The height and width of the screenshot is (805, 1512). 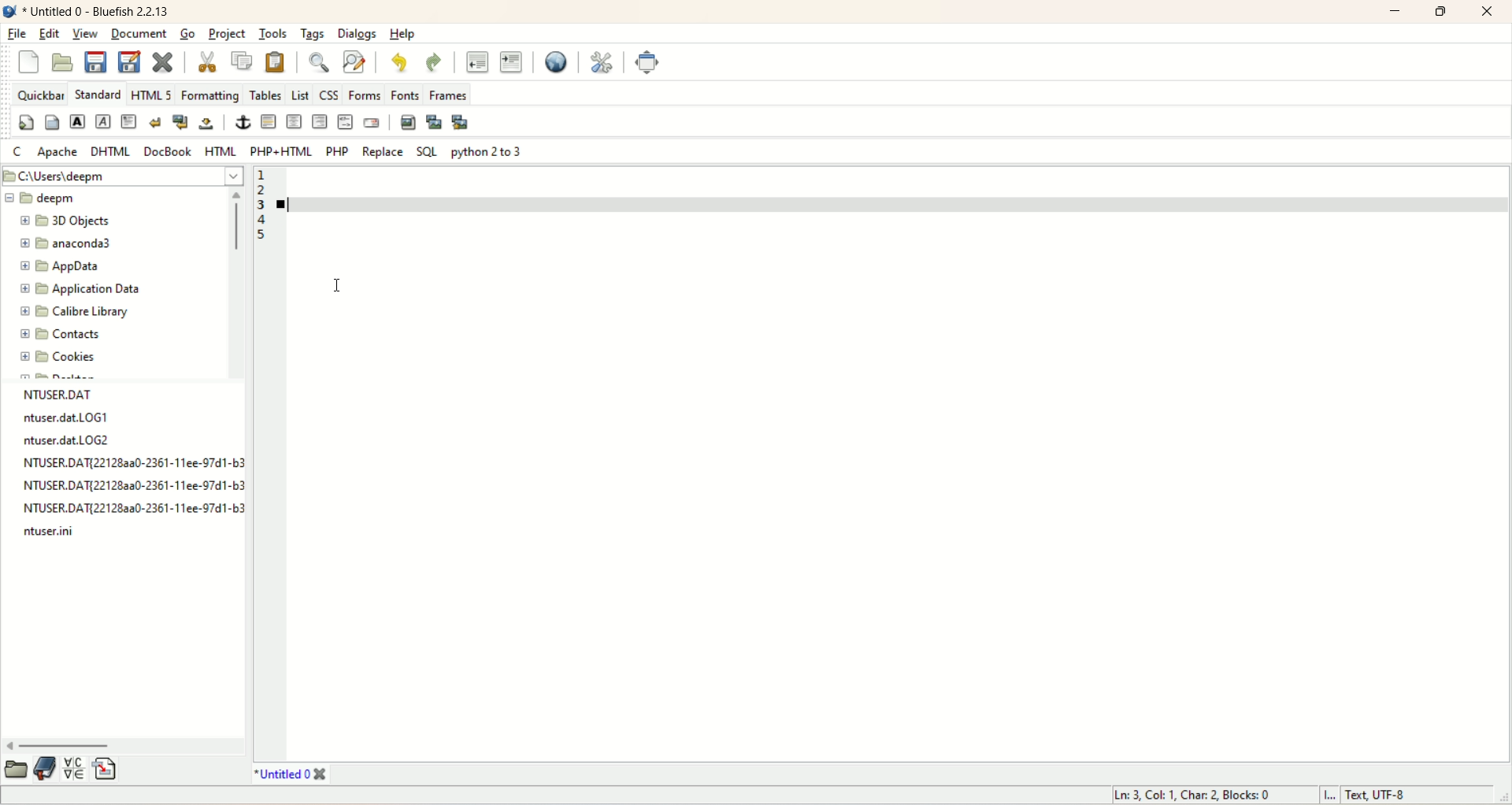 I want to click on quickstart, so click(x=25, y=124).